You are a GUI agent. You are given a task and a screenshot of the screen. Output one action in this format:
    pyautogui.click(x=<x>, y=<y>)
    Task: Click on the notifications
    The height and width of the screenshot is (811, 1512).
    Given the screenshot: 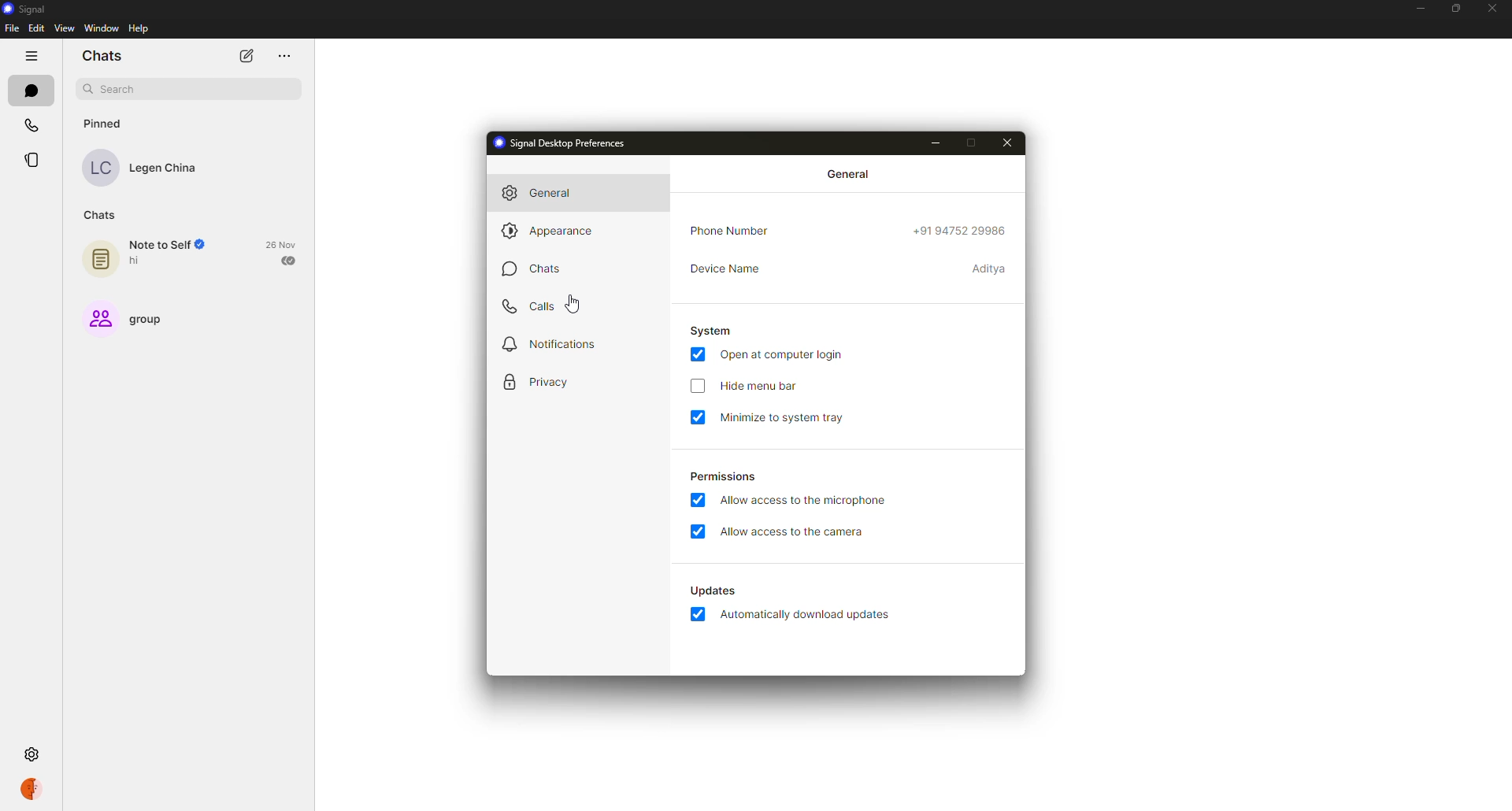 What is the action you would take?
    pyautogui.click(x=561, y=343)
    